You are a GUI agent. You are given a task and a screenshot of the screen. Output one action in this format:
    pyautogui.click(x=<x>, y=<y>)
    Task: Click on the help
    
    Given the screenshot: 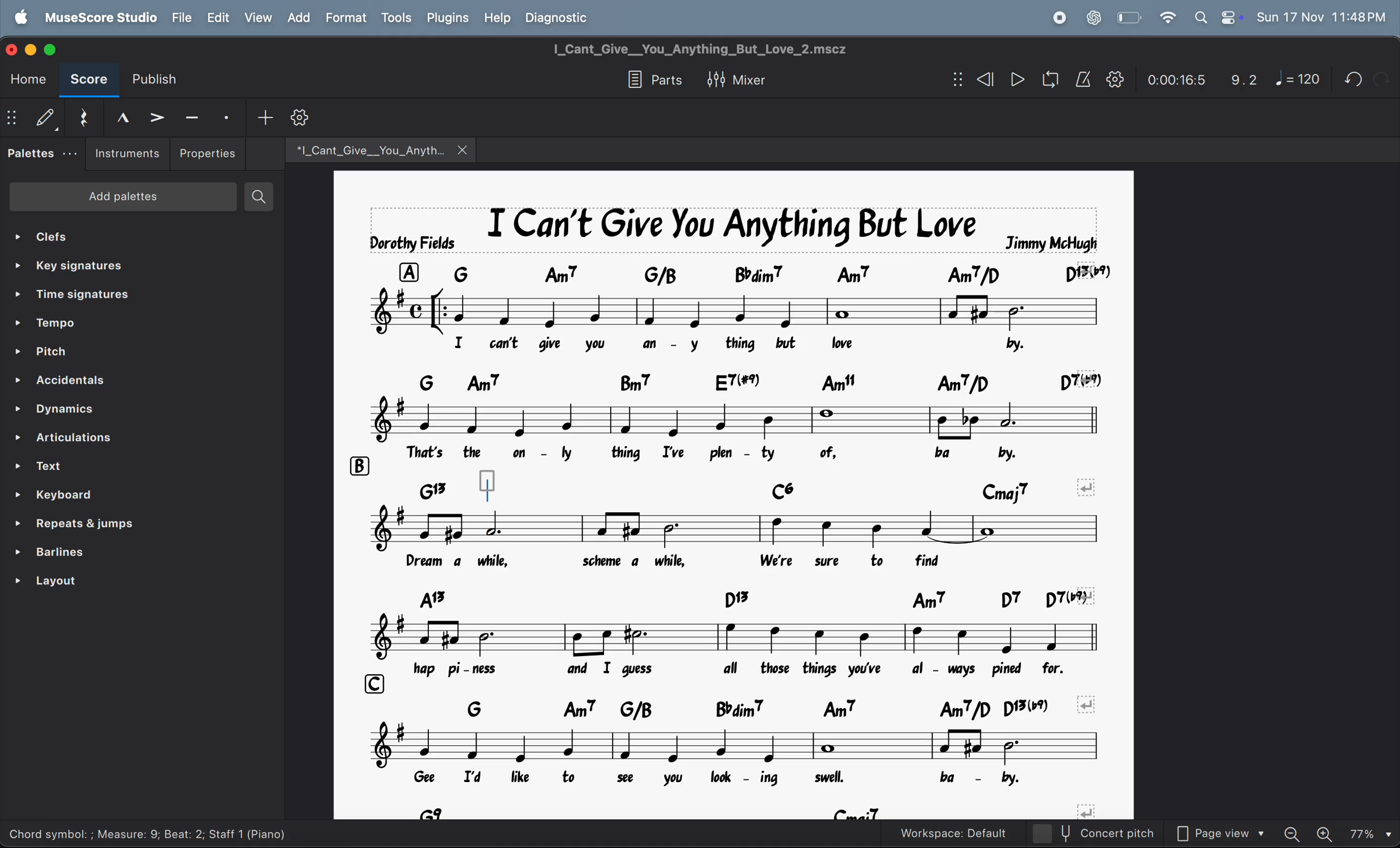 What is the action you would take?
    pyautogui.click(x=498, y=18)
    